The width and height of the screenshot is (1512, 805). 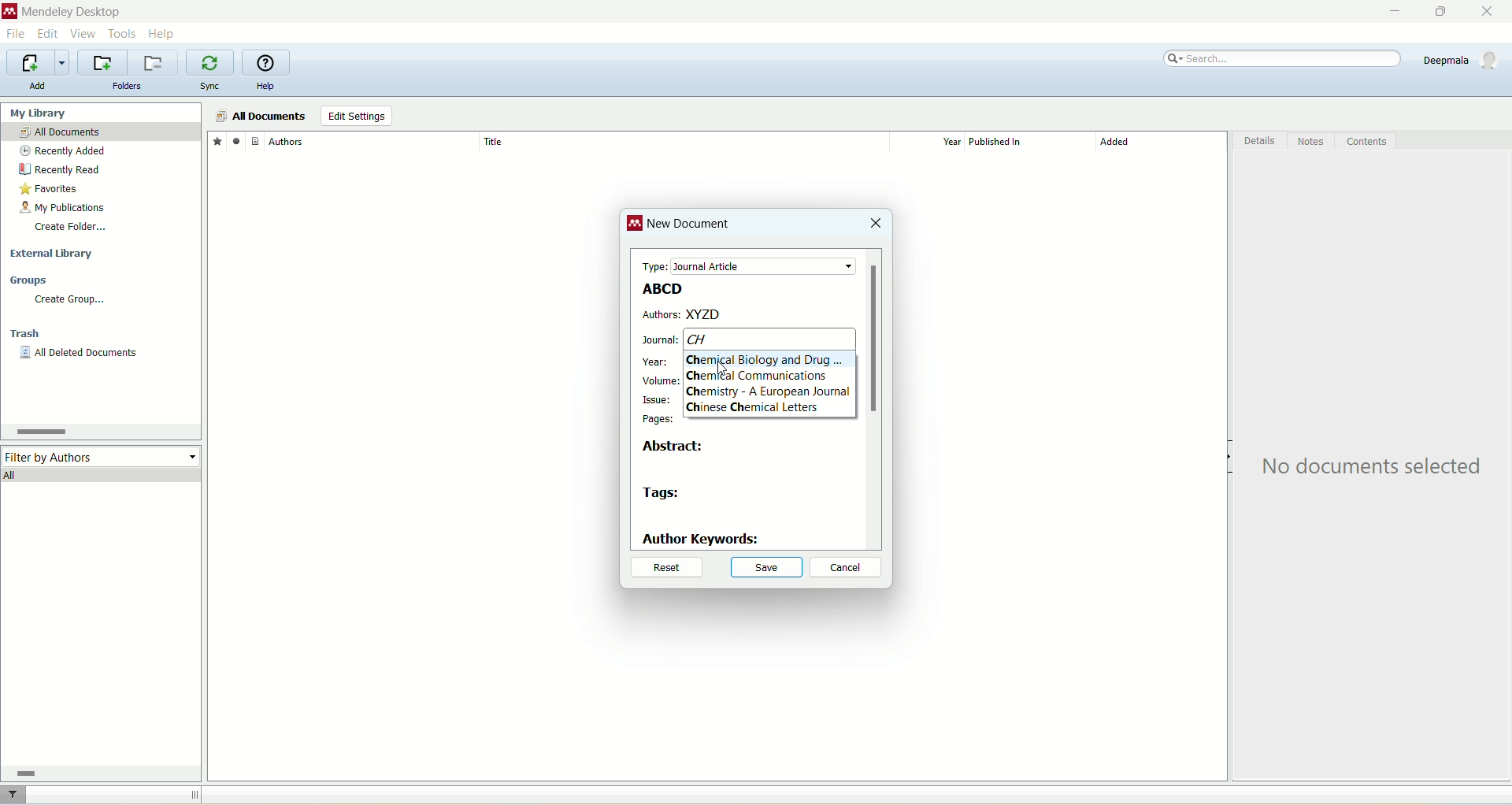 What do you see at coordinates (678, 446) in the screenshot?
I see `abstract` at bounding box center [678, 446].